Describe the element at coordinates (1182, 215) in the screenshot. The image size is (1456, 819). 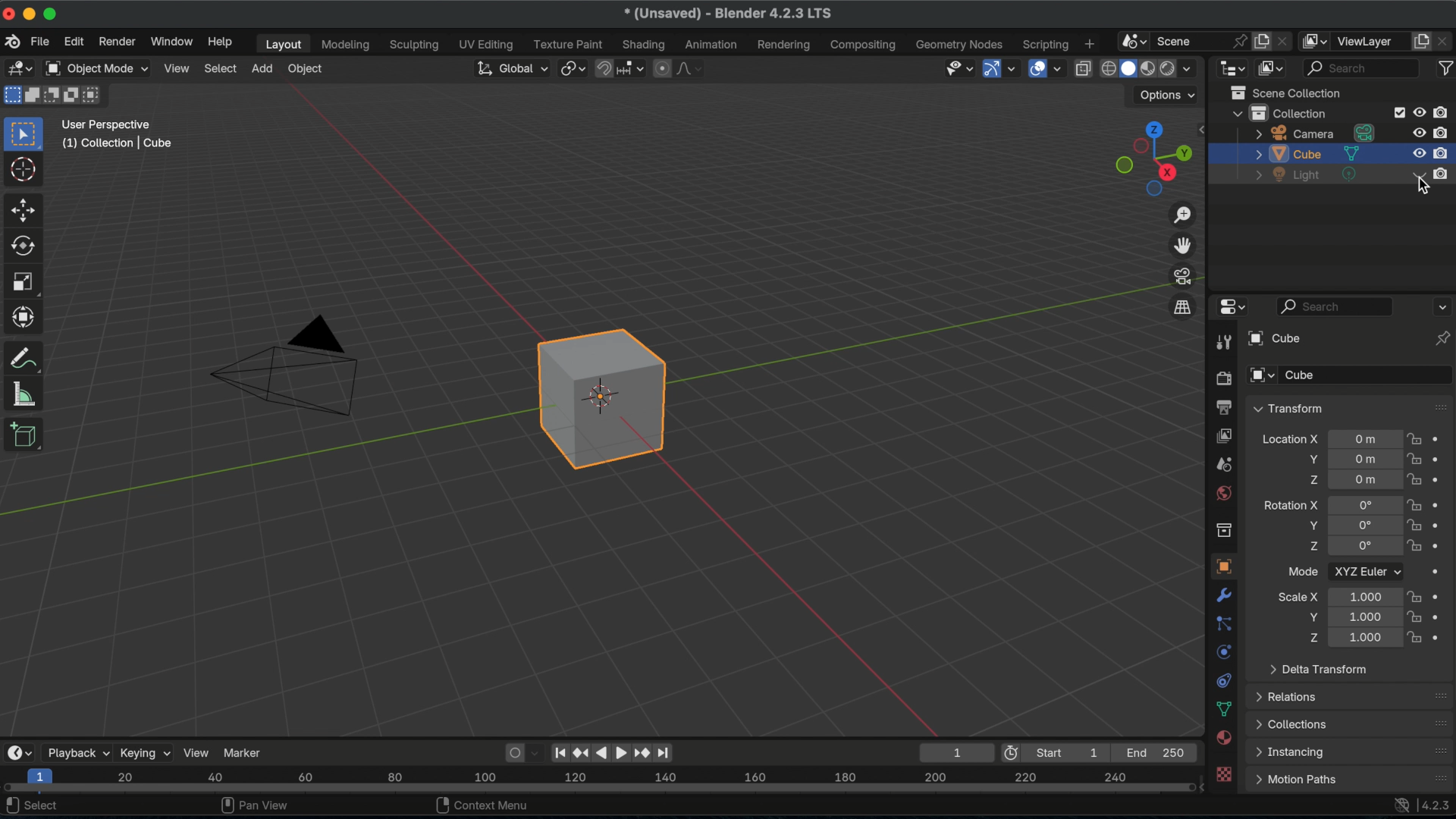
I see `zoom in/out in the view` at that location.